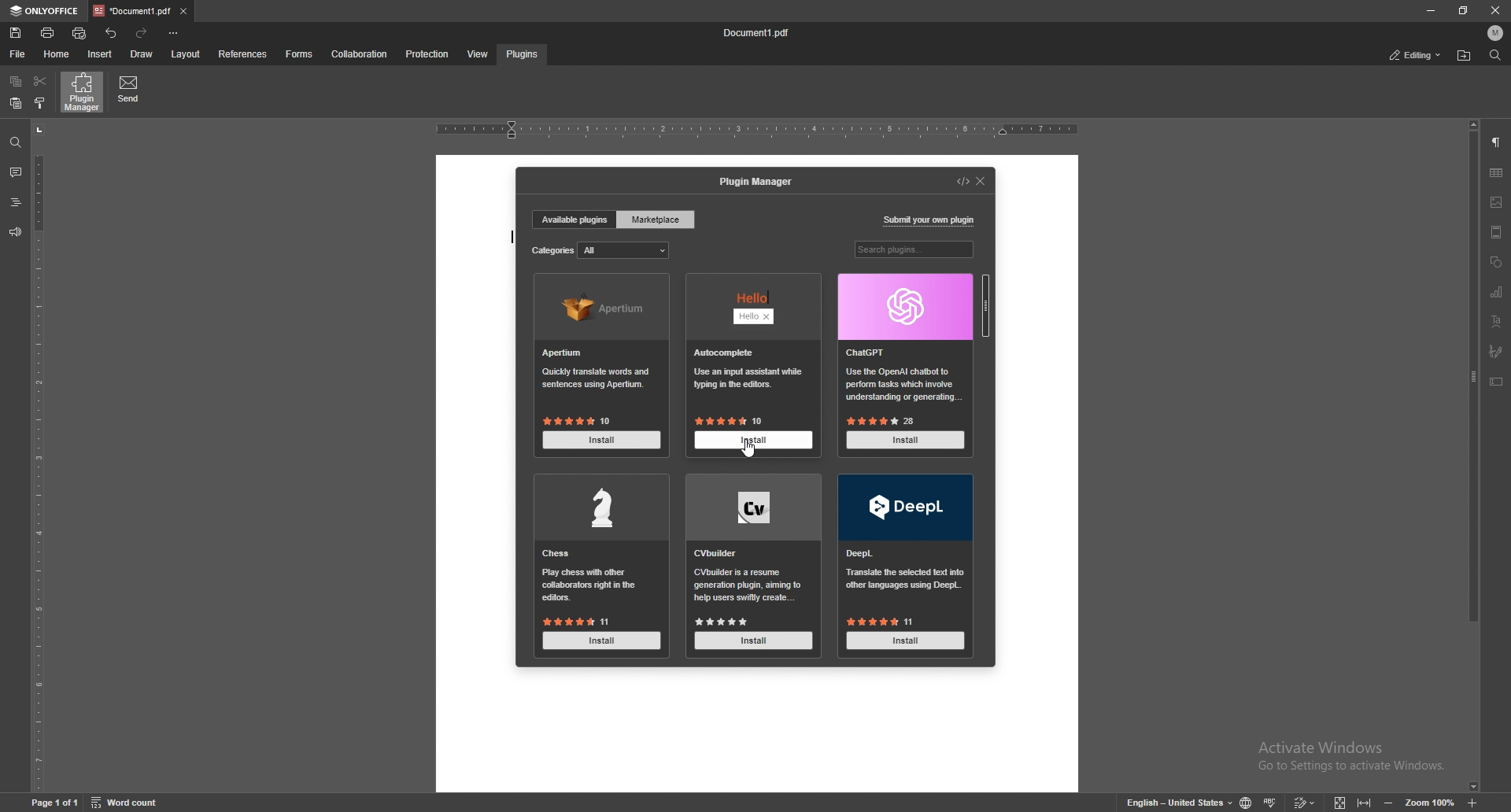 The height and width of the screenshot is (812, 1511). I want to click on install, so click(755, 440).